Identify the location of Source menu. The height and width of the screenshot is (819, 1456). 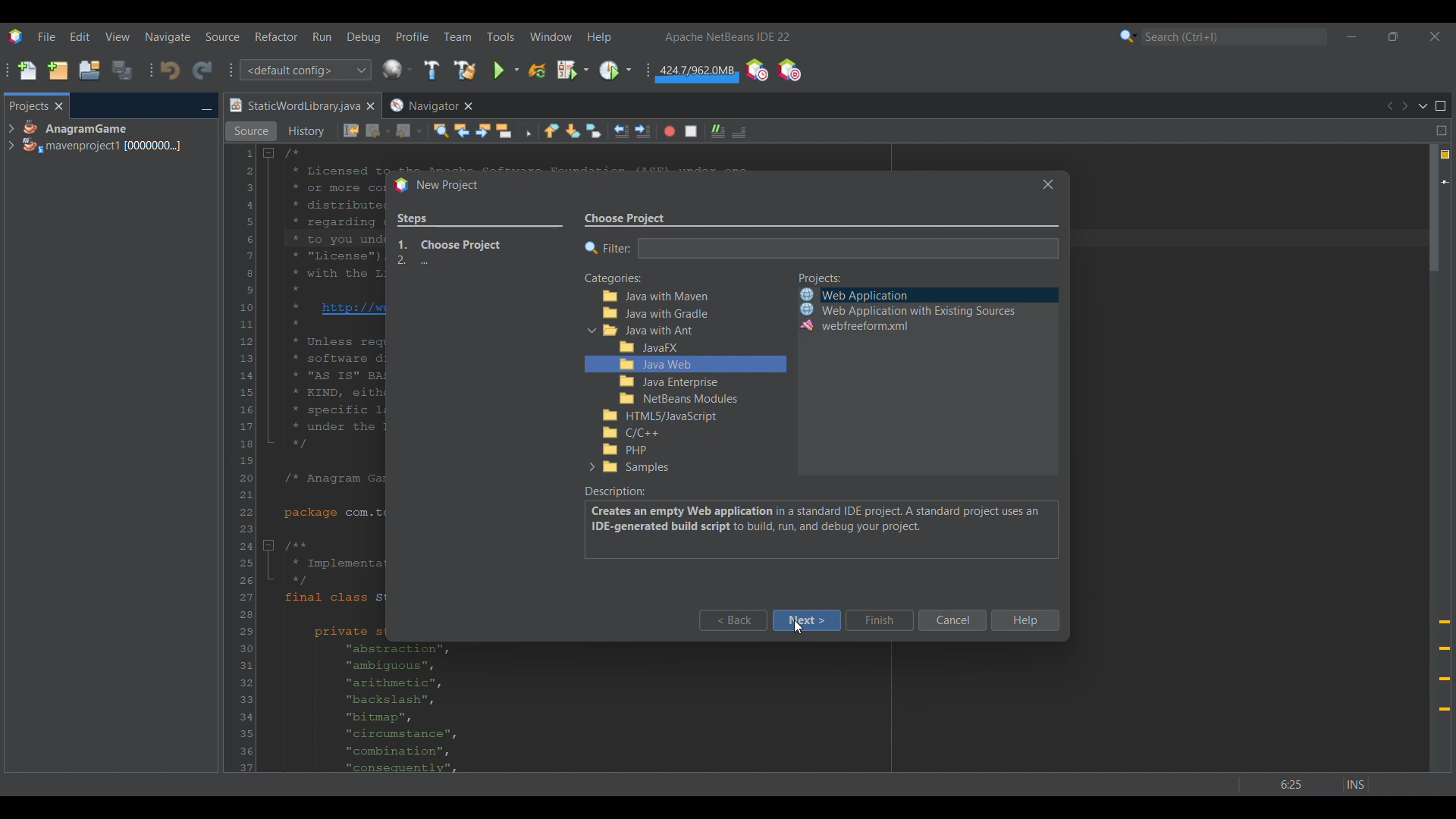
(223, 36).